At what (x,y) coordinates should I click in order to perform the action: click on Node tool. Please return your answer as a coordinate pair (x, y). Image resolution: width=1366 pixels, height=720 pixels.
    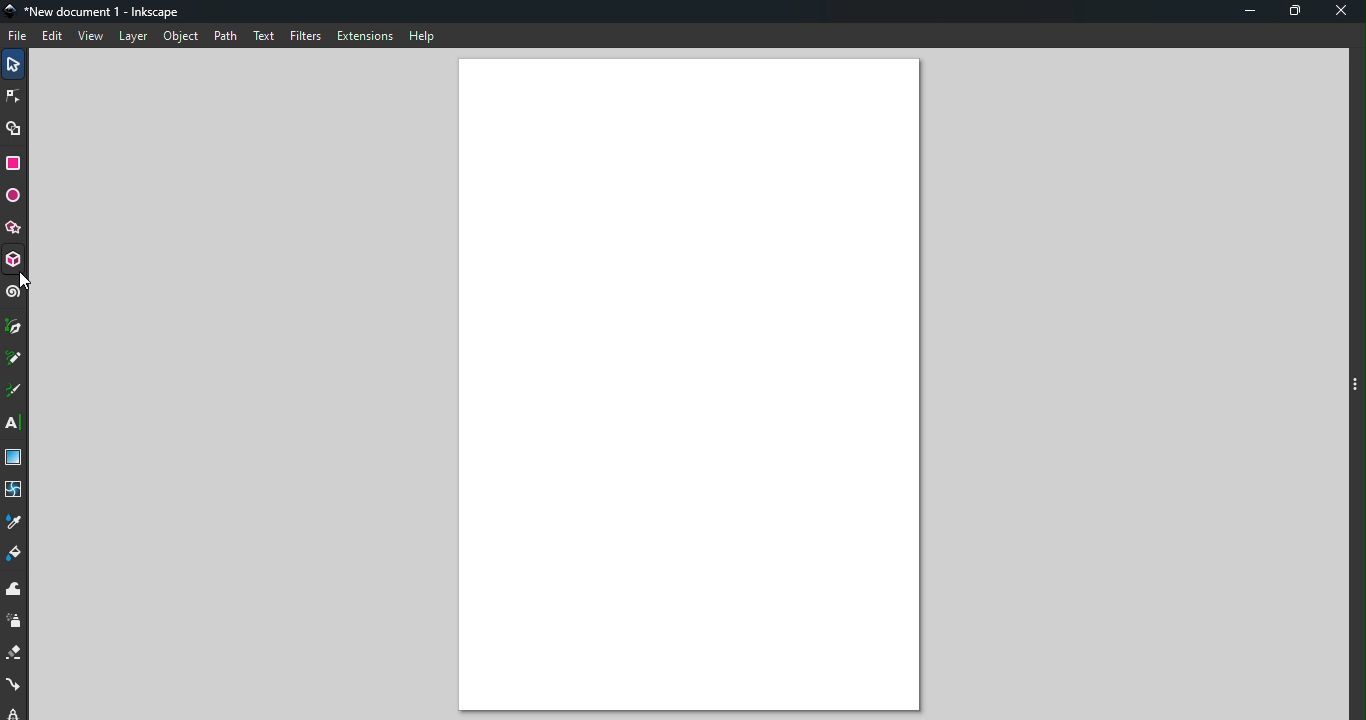
    Looking at the image, I should click on (14, 98).